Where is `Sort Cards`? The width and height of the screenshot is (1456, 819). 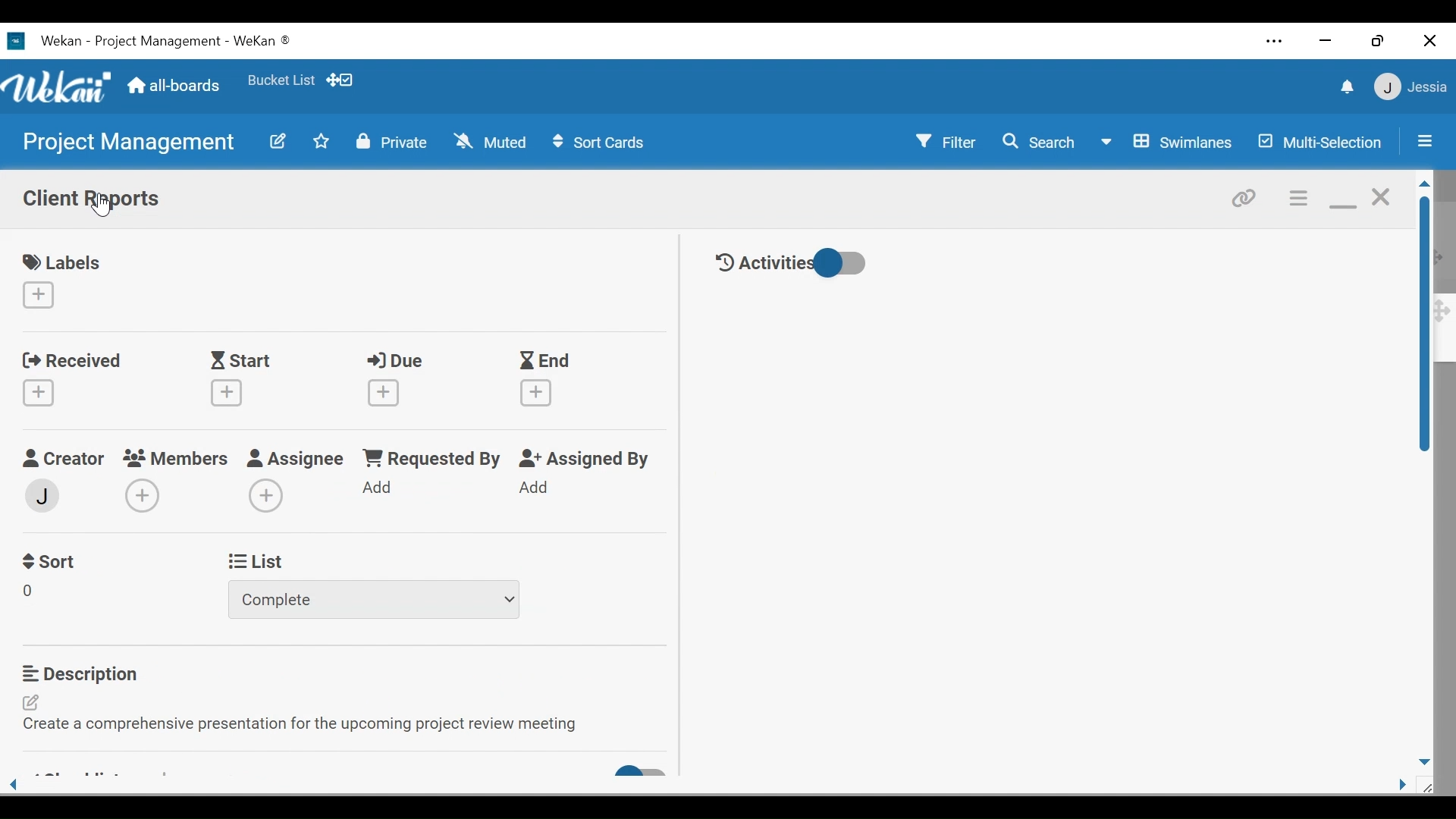 Sort Cards is located at coordinates (603, 143).